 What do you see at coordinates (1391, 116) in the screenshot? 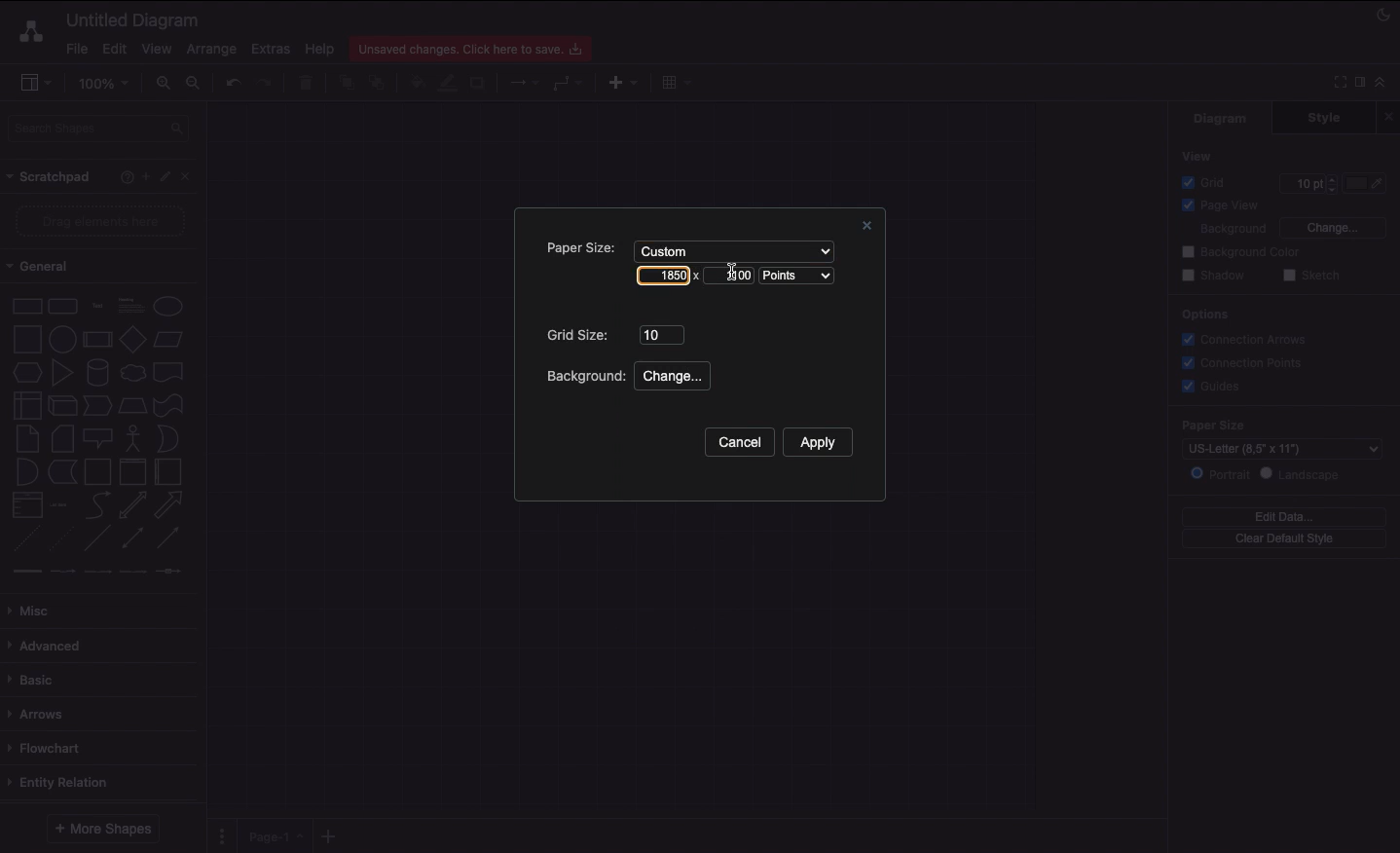
I see `Close` at bounding box center [1391, 116].